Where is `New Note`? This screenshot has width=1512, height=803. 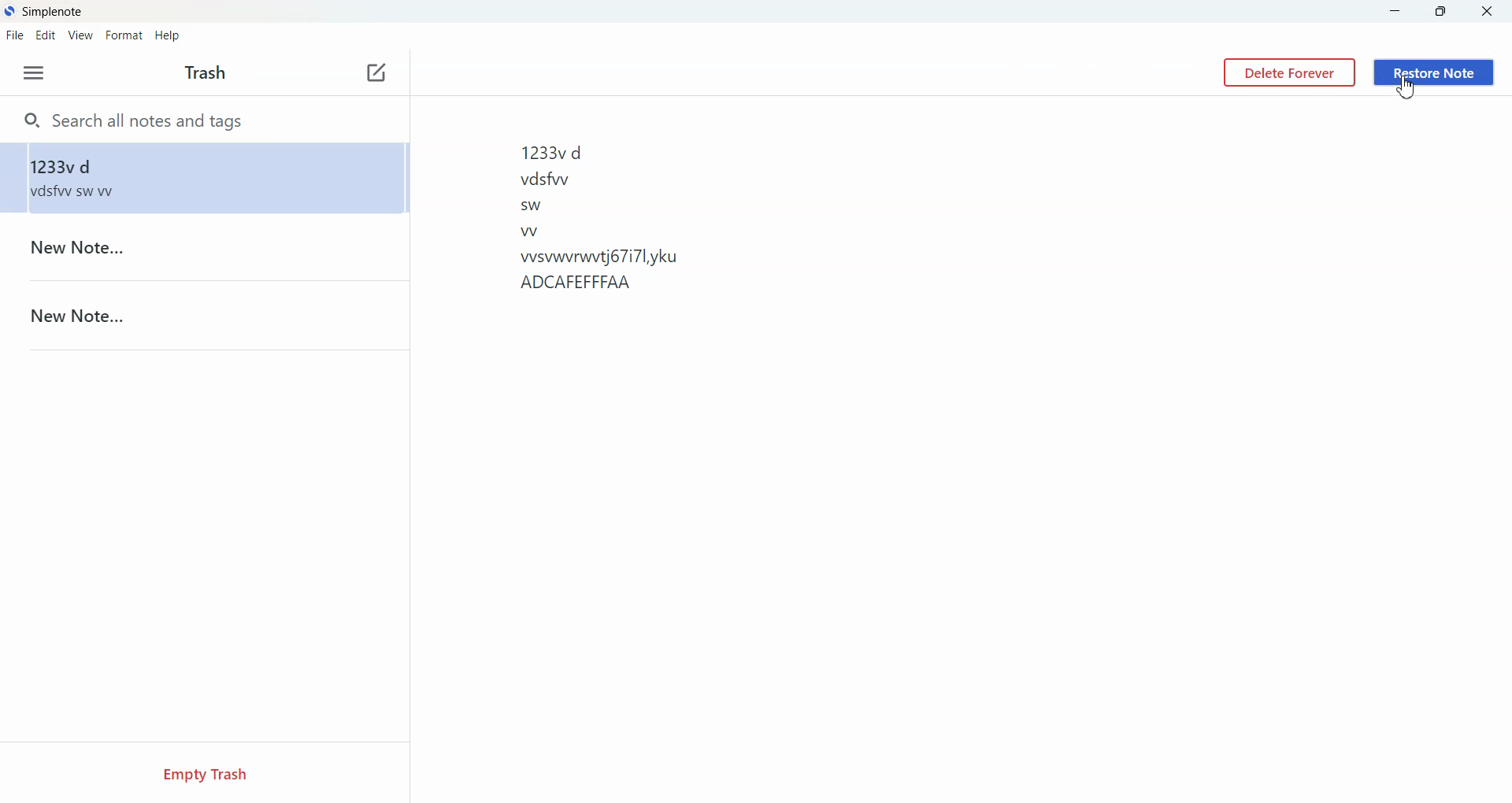
New Note is located at coordinates (377, 75).